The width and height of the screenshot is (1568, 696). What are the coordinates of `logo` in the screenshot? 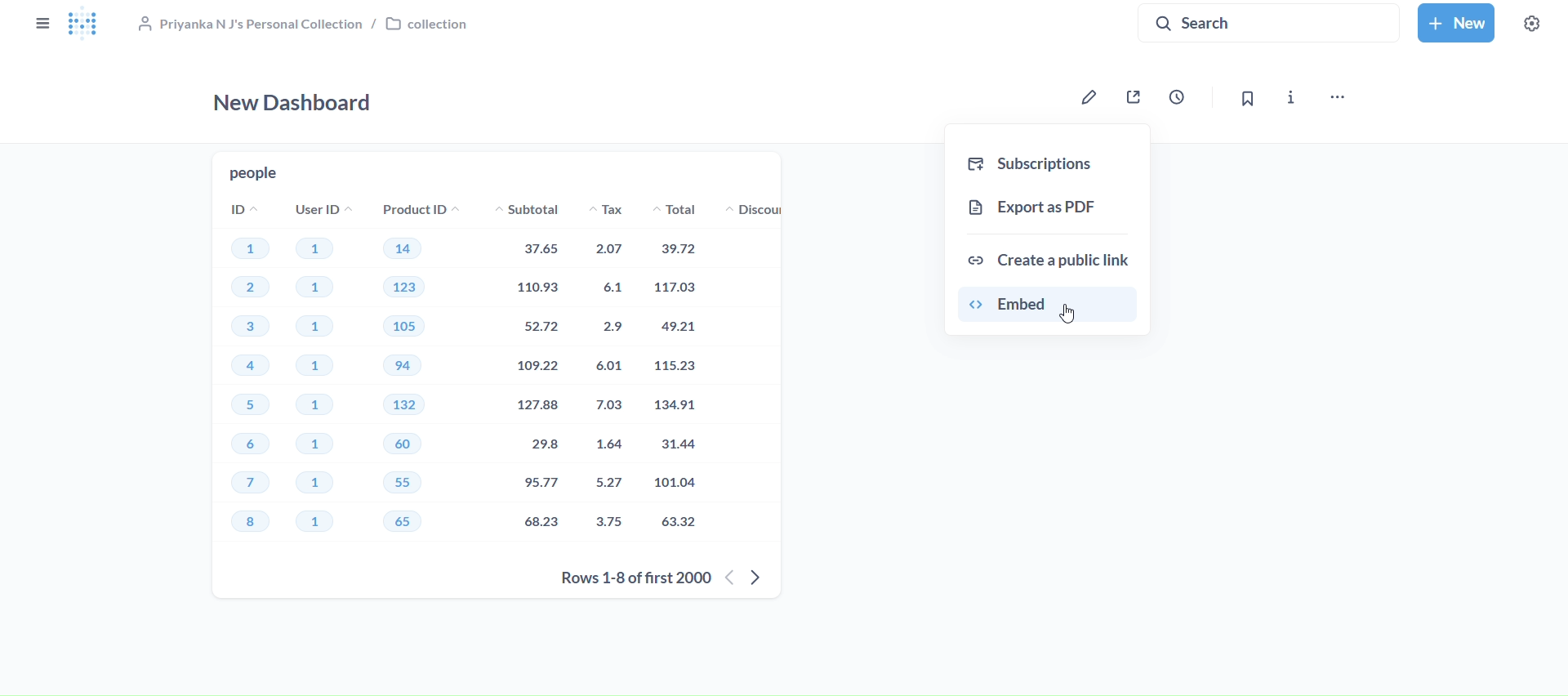 It's located at (87, 26).